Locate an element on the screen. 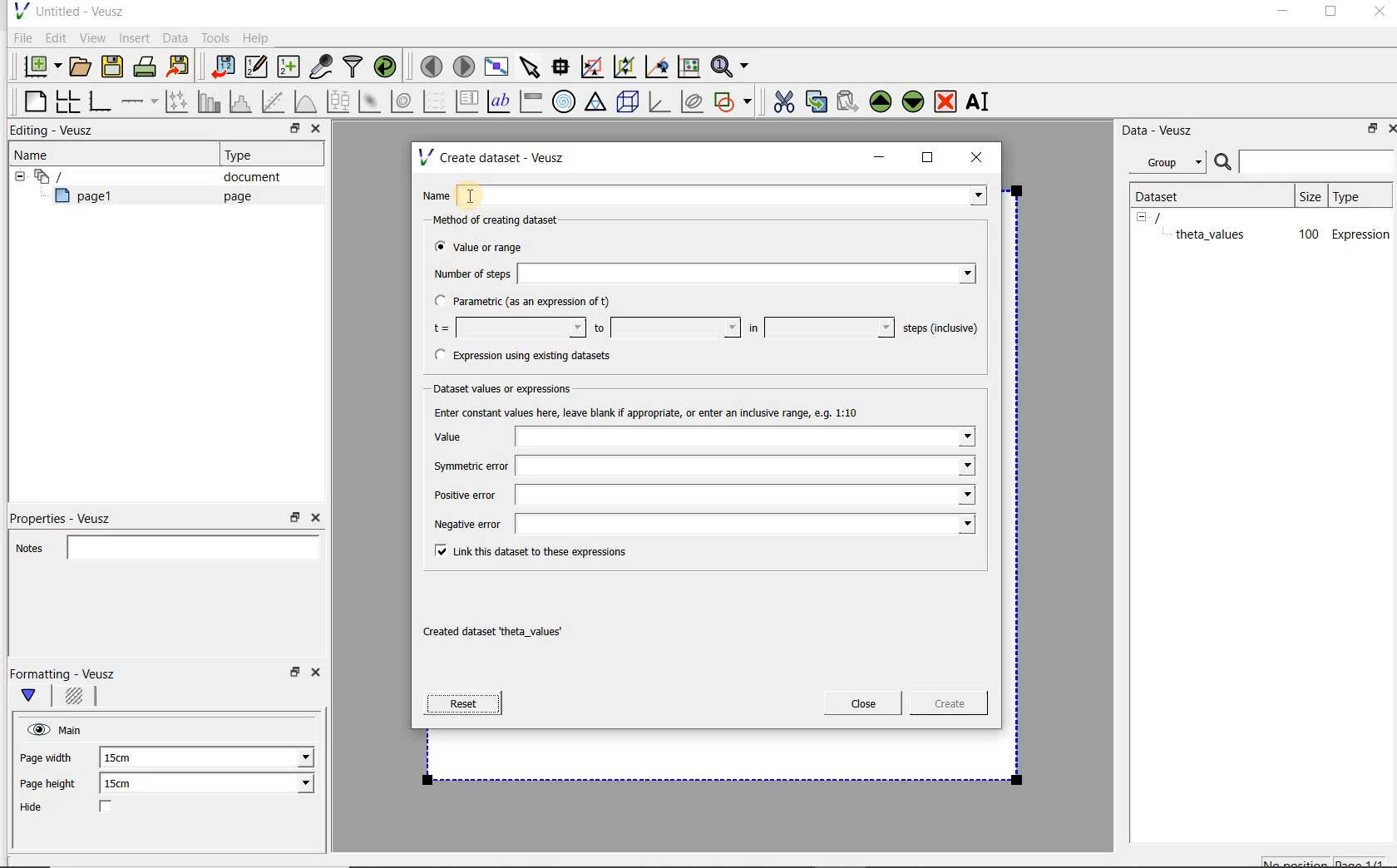  Edit is located at coordinates (55, 37).